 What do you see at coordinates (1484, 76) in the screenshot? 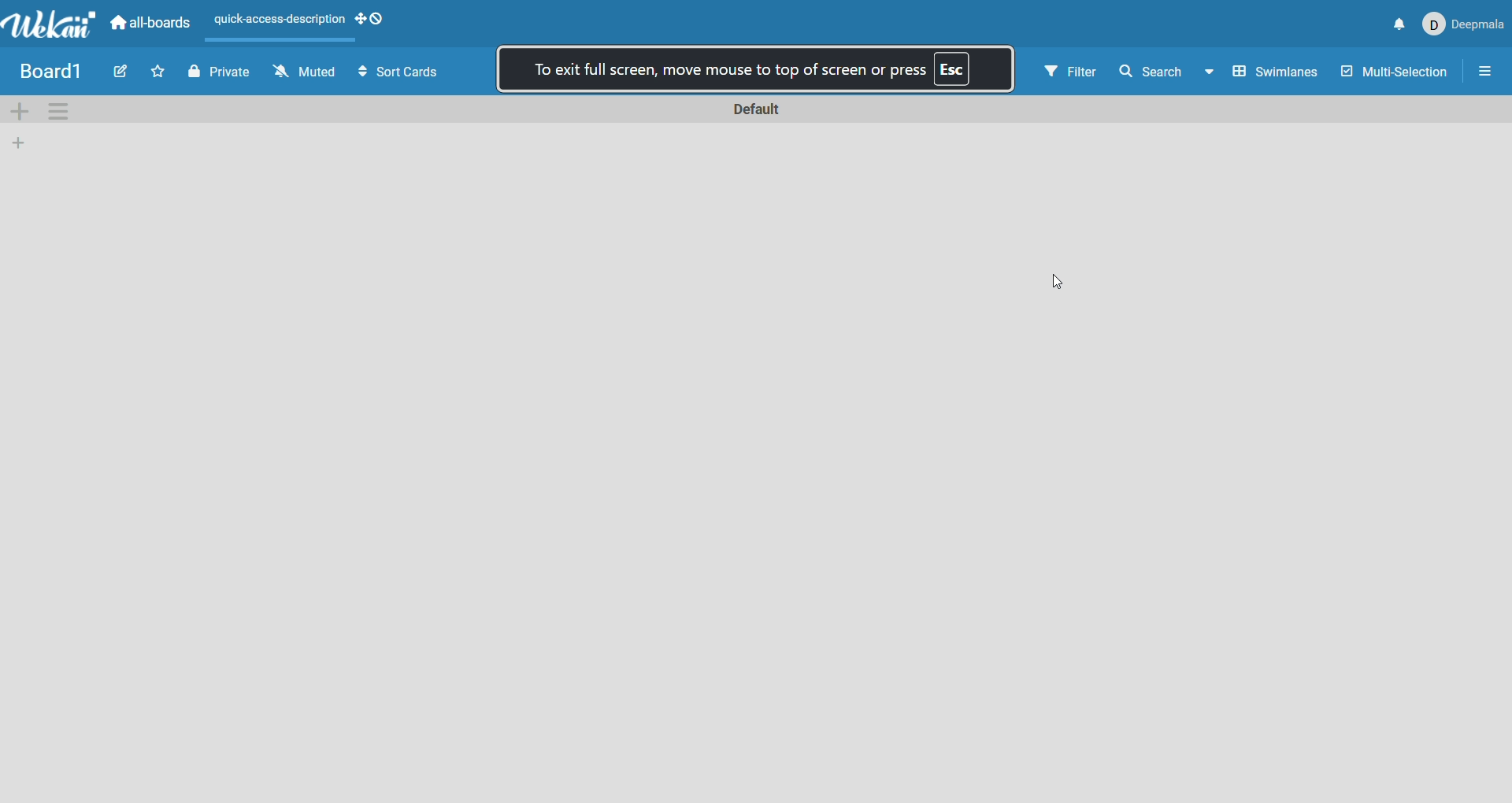
I see `more options` at bounding box center [1484, 76].